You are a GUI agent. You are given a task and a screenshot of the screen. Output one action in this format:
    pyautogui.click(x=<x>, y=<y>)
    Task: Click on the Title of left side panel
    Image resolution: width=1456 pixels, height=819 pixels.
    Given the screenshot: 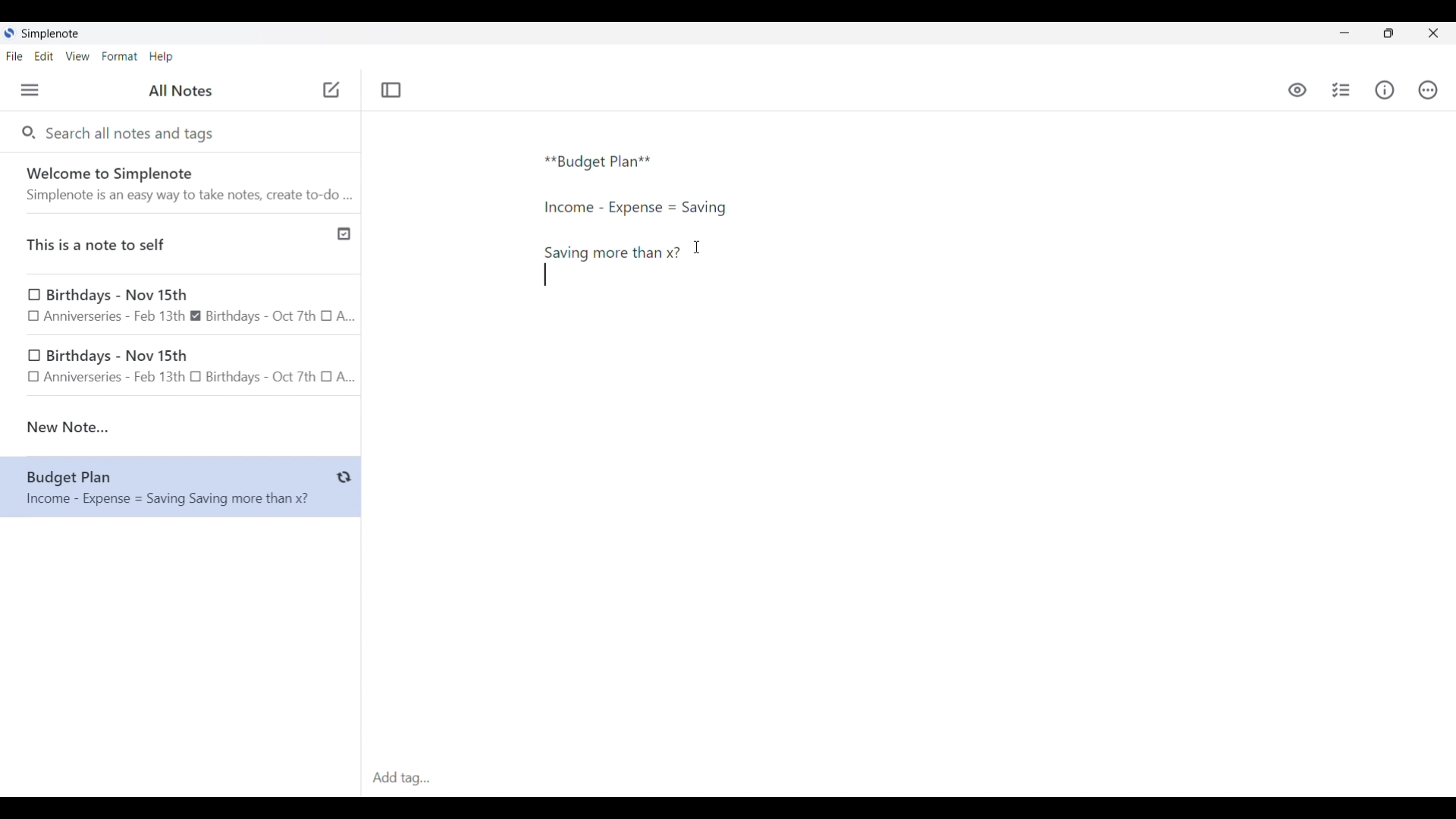 What is the action you would take?
    pyautogui.click(x=180, y=91)
    